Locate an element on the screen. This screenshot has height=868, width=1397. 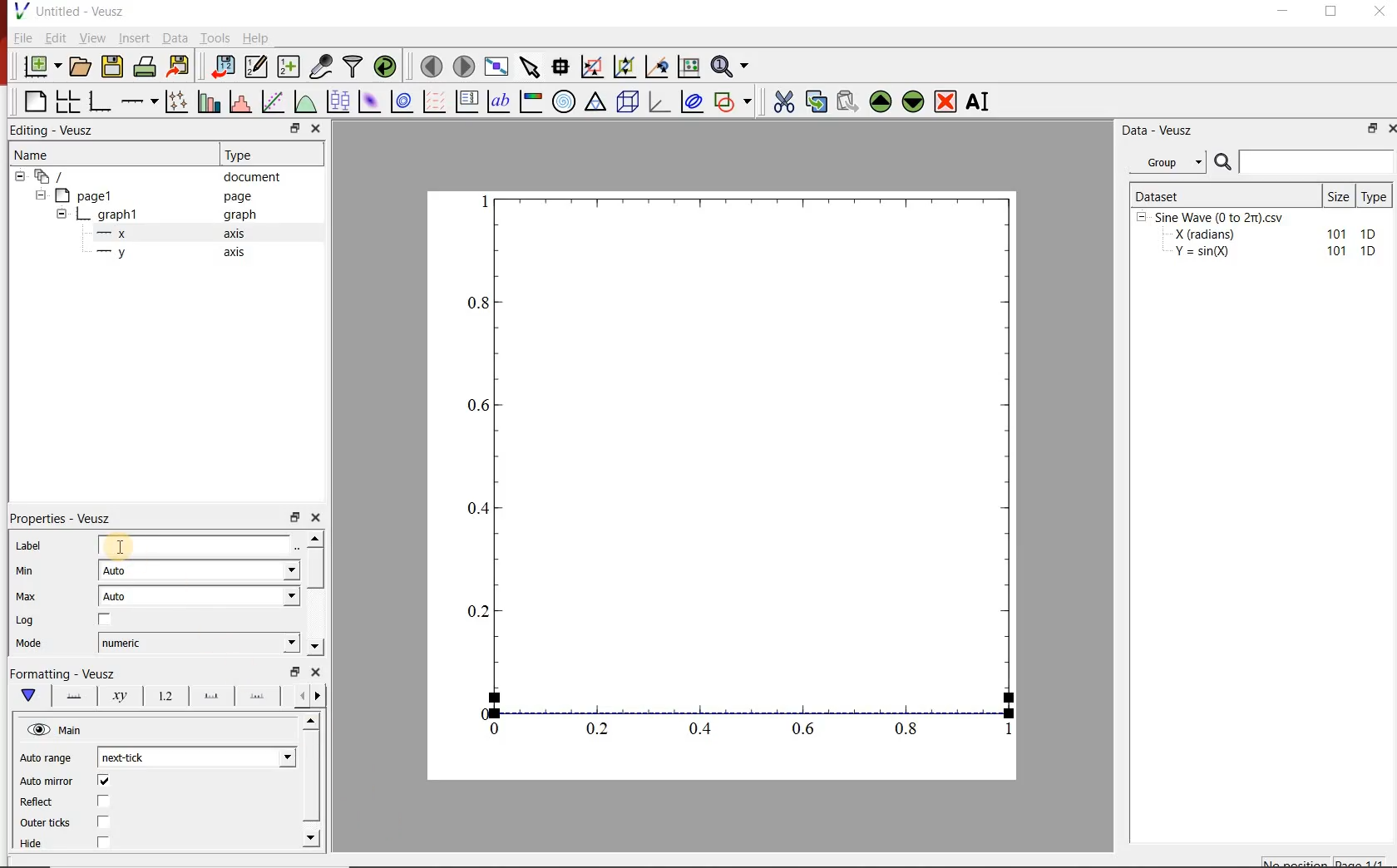
plot 2d dataset as image is located at coordinates (370, 101).